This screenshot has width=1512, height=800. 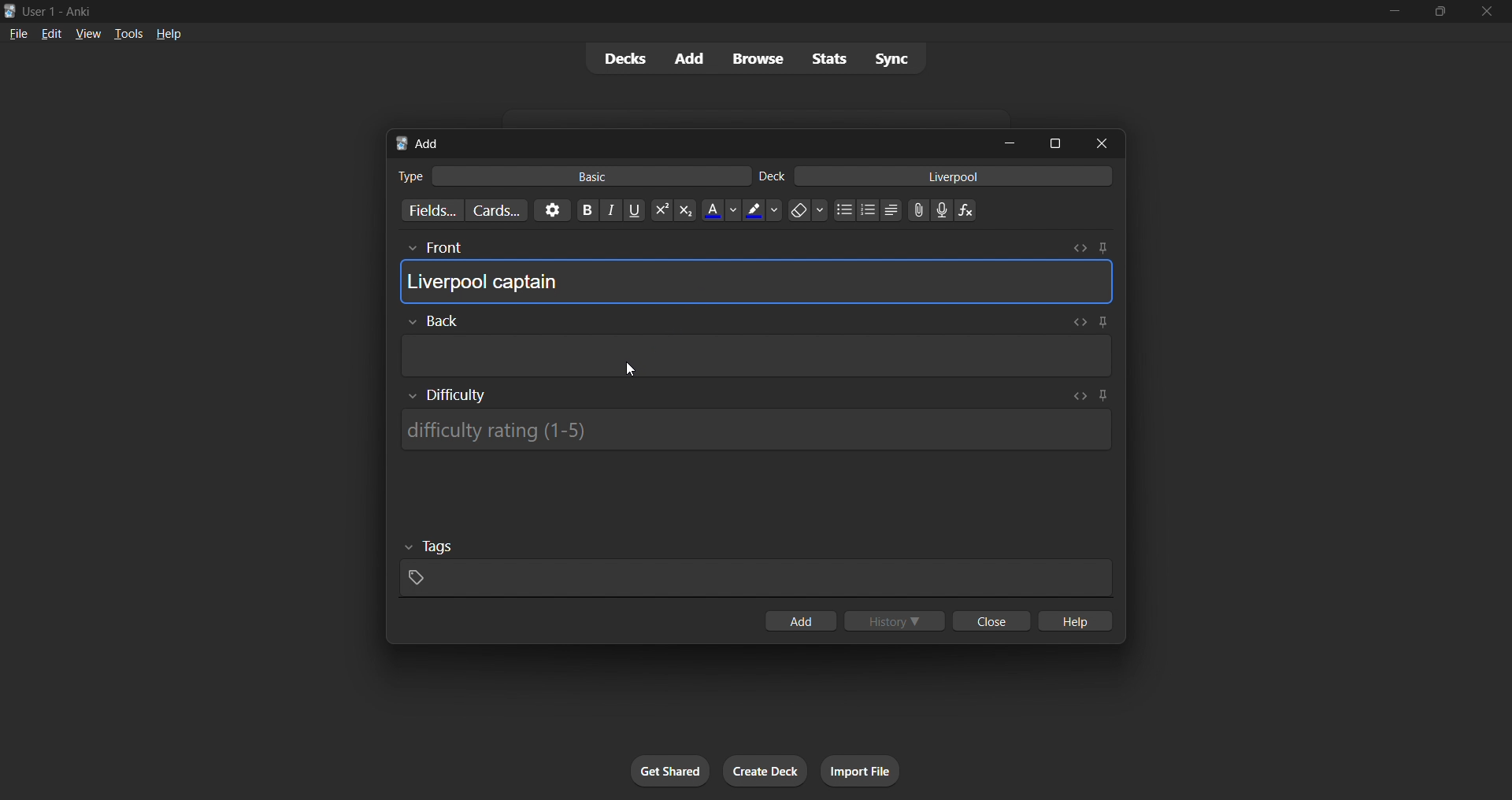 What do you see at coordinates (1054, 143) in the screenshot?
I see `maximize` at bounding box center [1054, 143].